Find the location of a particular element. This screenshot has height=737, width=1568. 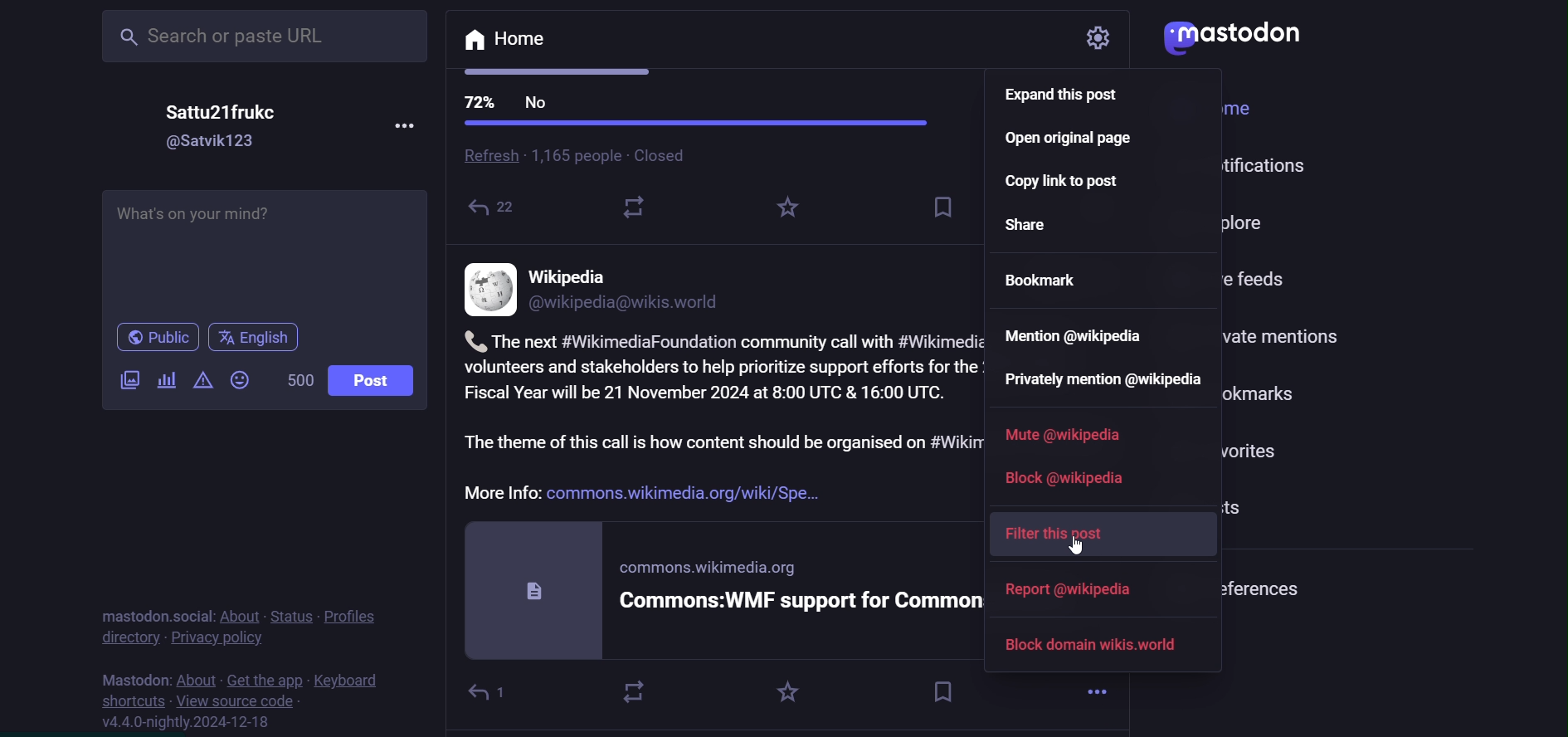

mastodon social is located at coordinates (150, 613).